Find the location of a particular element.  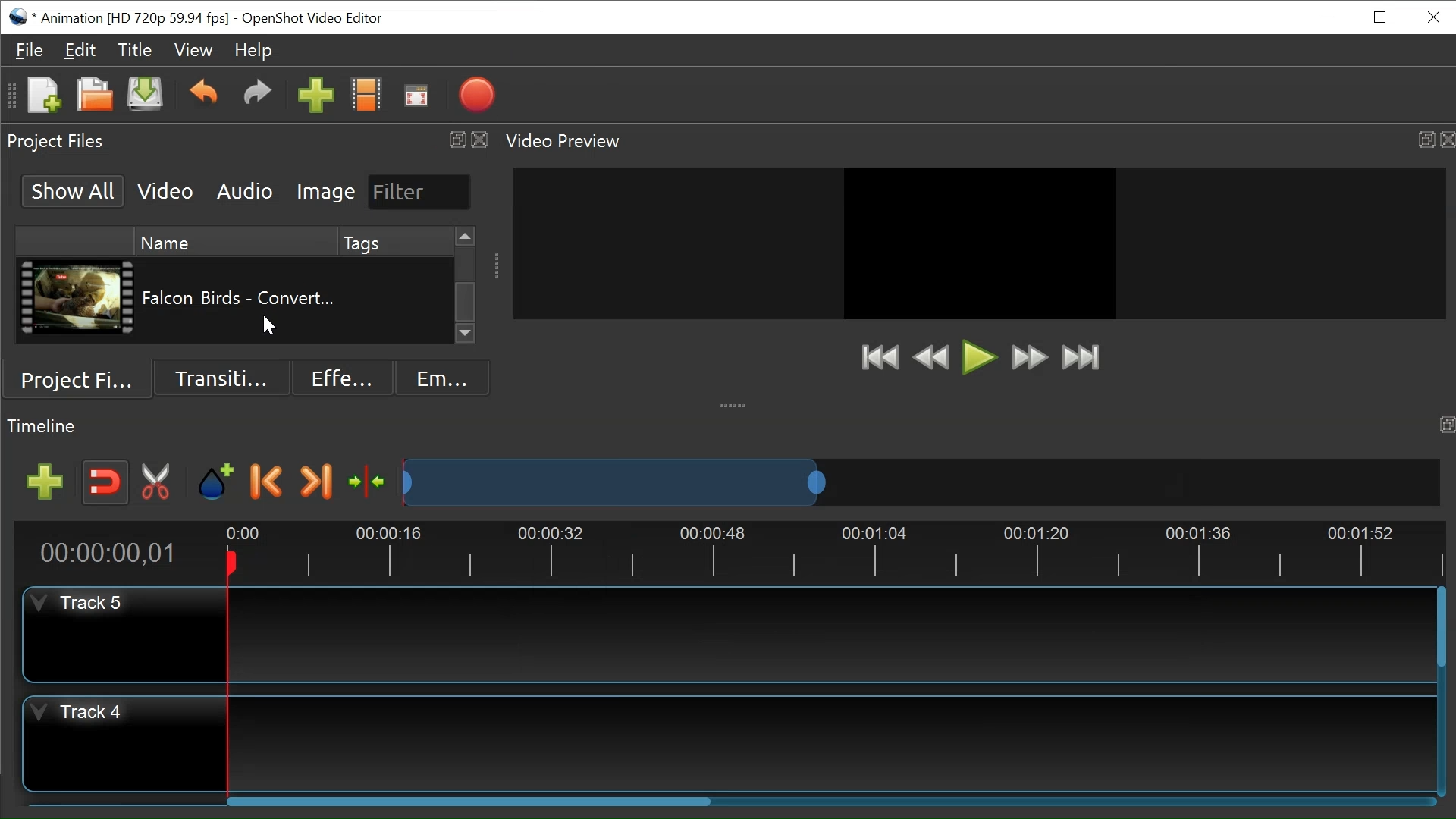

Previous Marker is located at coordinates (267, 480).